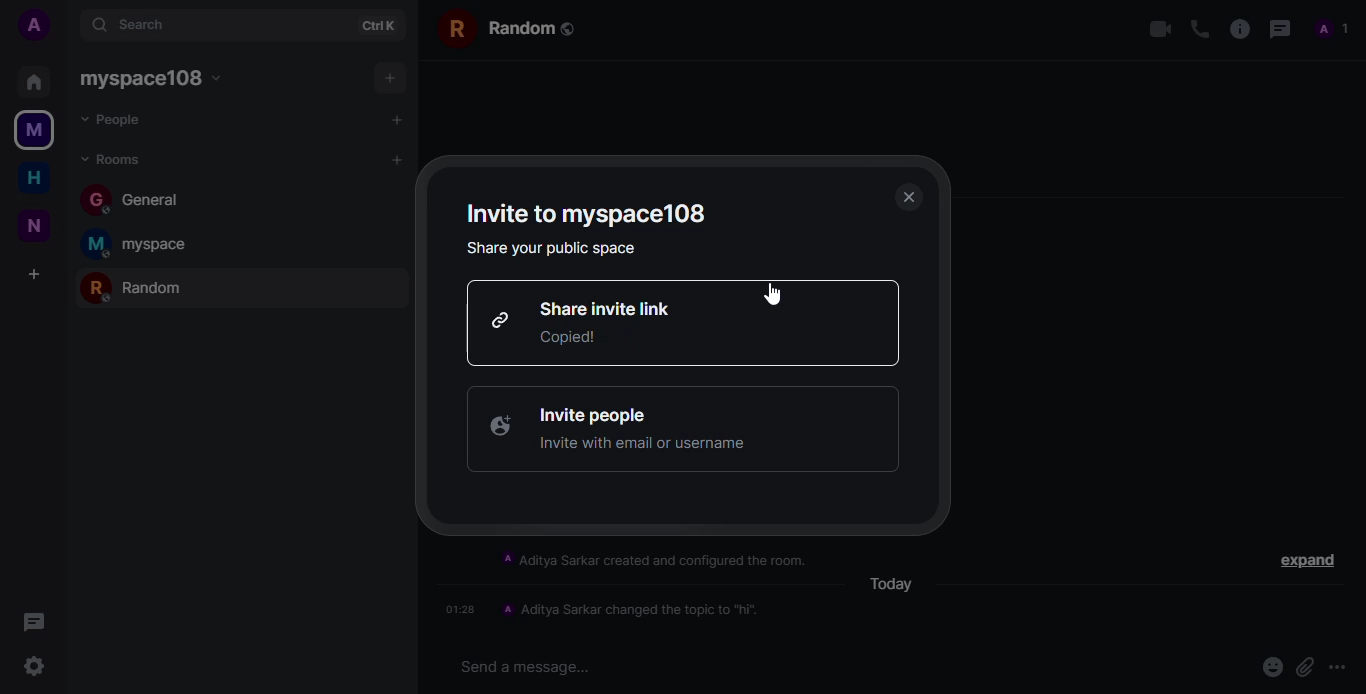  What do you see at coordinates (488, 322) in the screenshot?
I see `link` at bounding box center [488, 322].